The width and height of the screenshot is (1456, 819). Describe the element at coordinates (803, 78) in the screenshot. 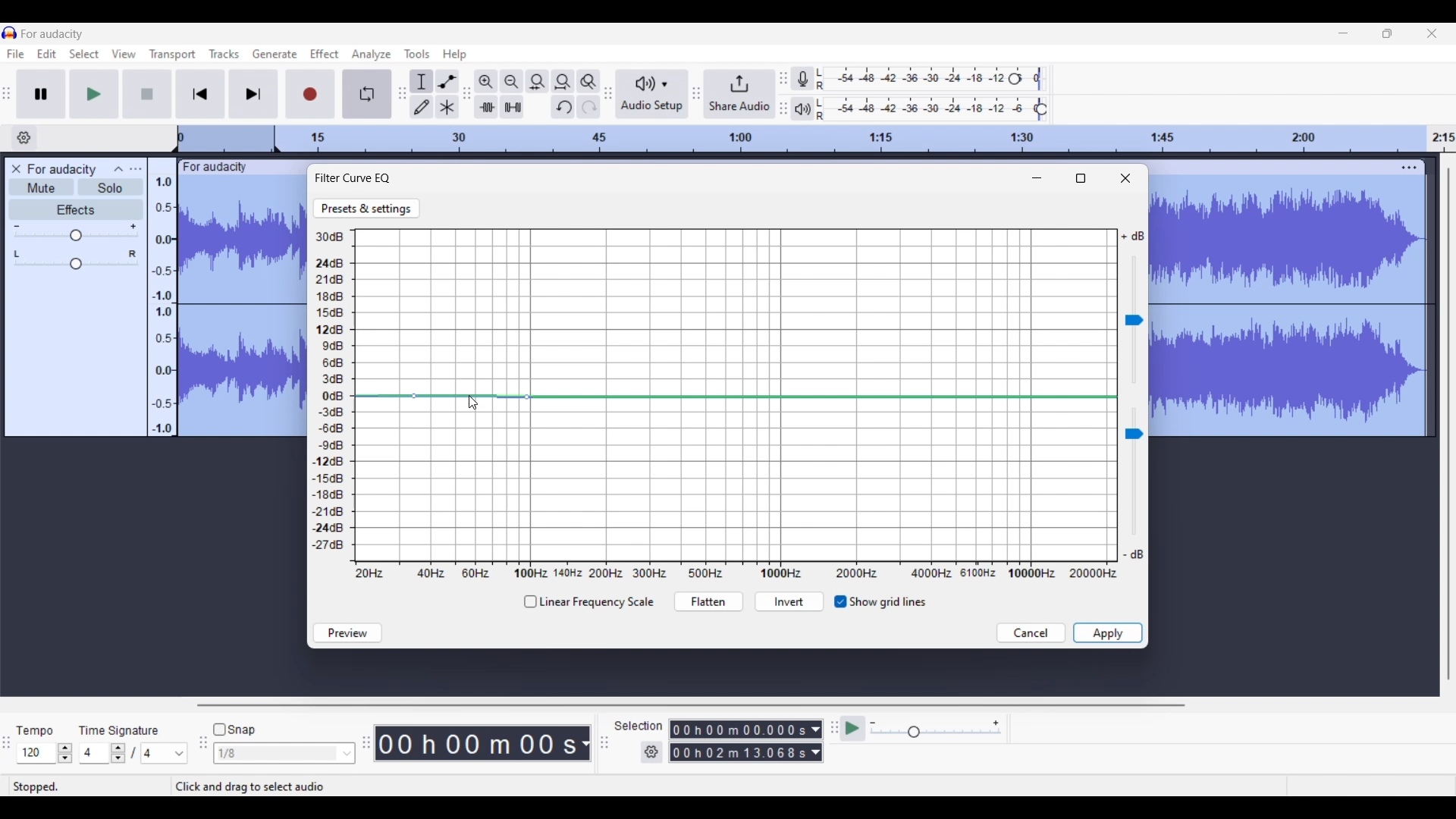

I see `Record meter` at that location.